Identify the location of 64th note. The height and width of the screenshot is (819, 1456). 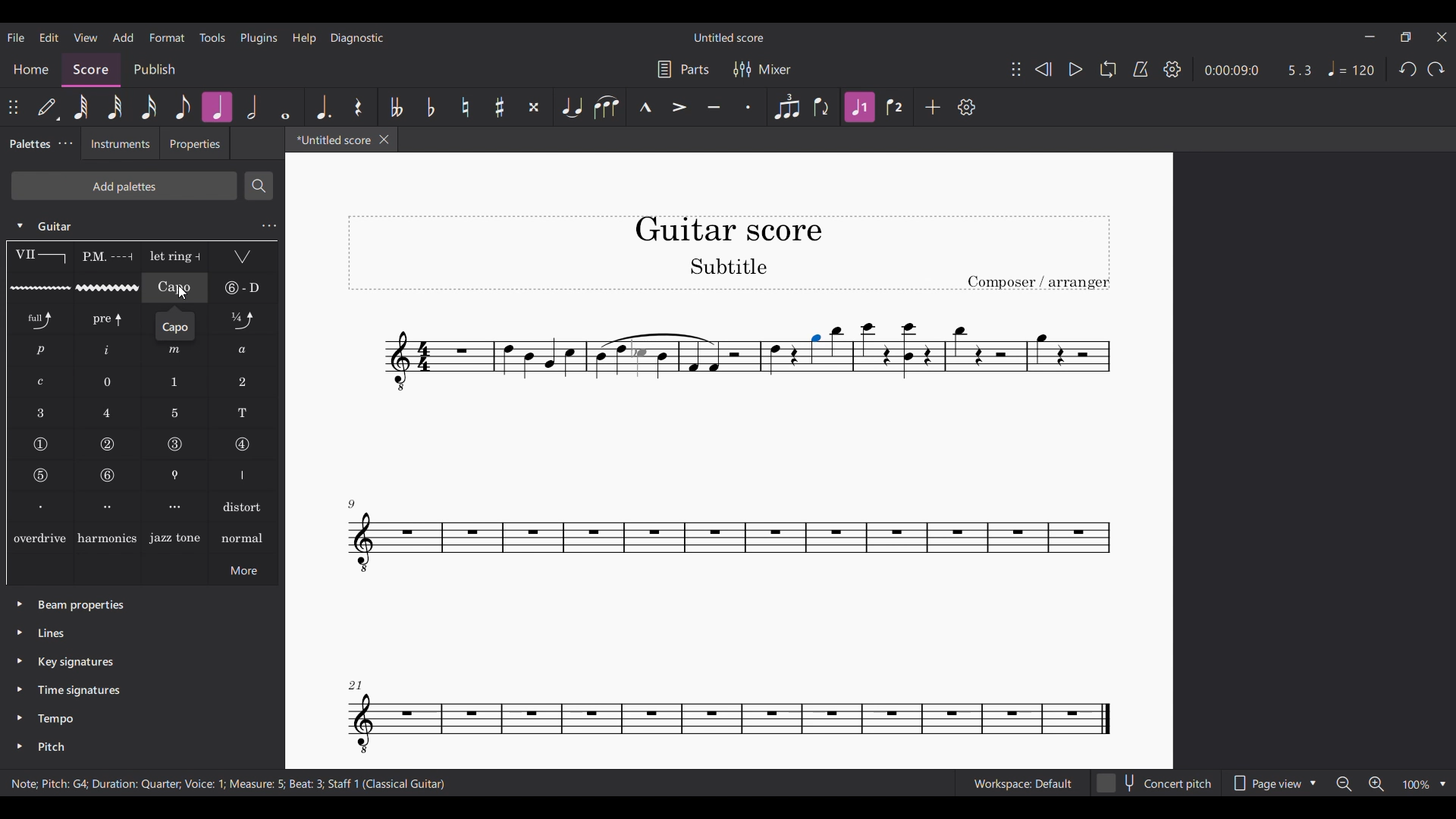
(81, 107).